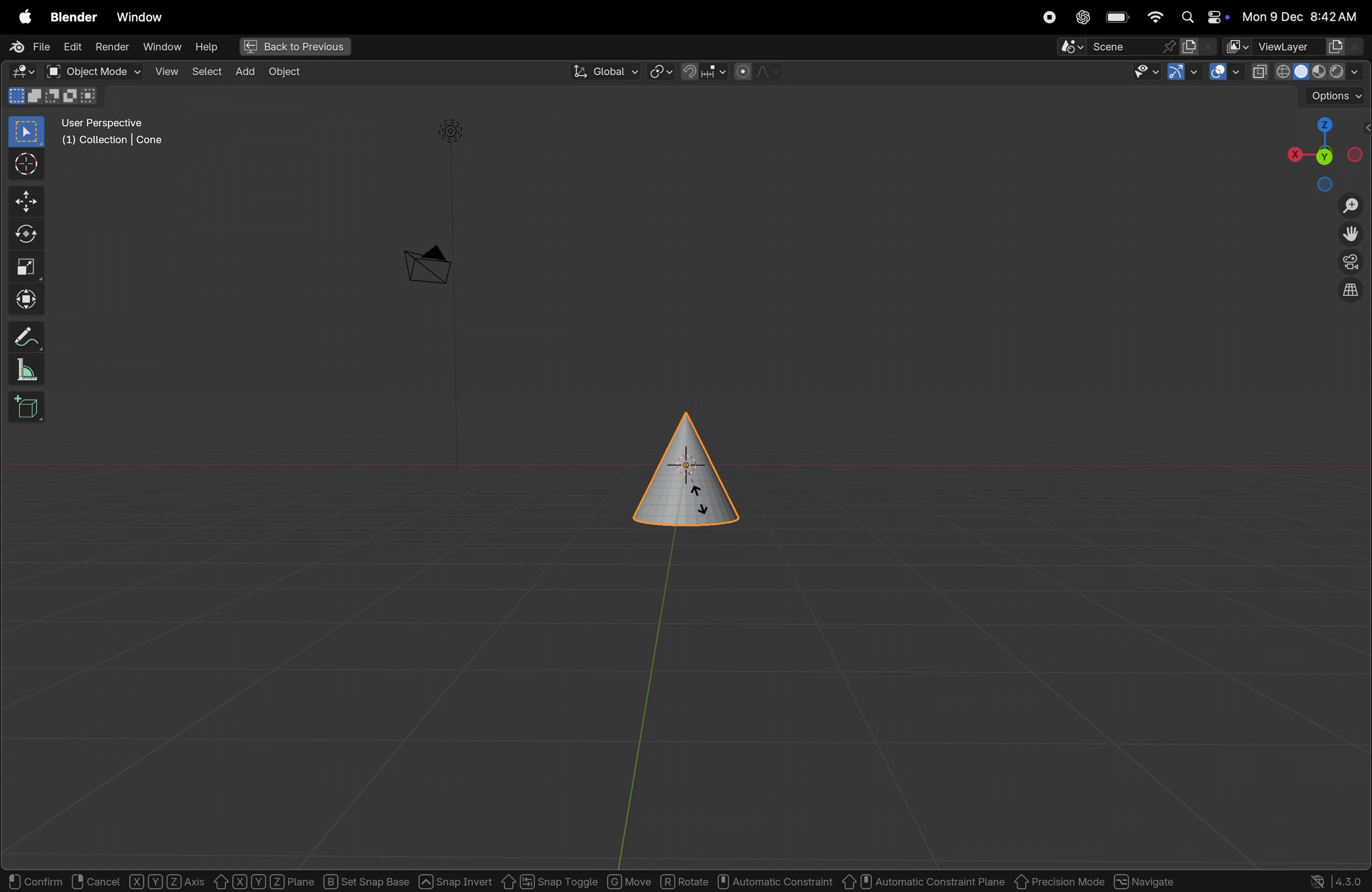 The height and width of the screenshot is (892, 1372). What do you see at coordinates (22, 368) in the screenshot?
I see `measure` at bounding box center [22, 368].